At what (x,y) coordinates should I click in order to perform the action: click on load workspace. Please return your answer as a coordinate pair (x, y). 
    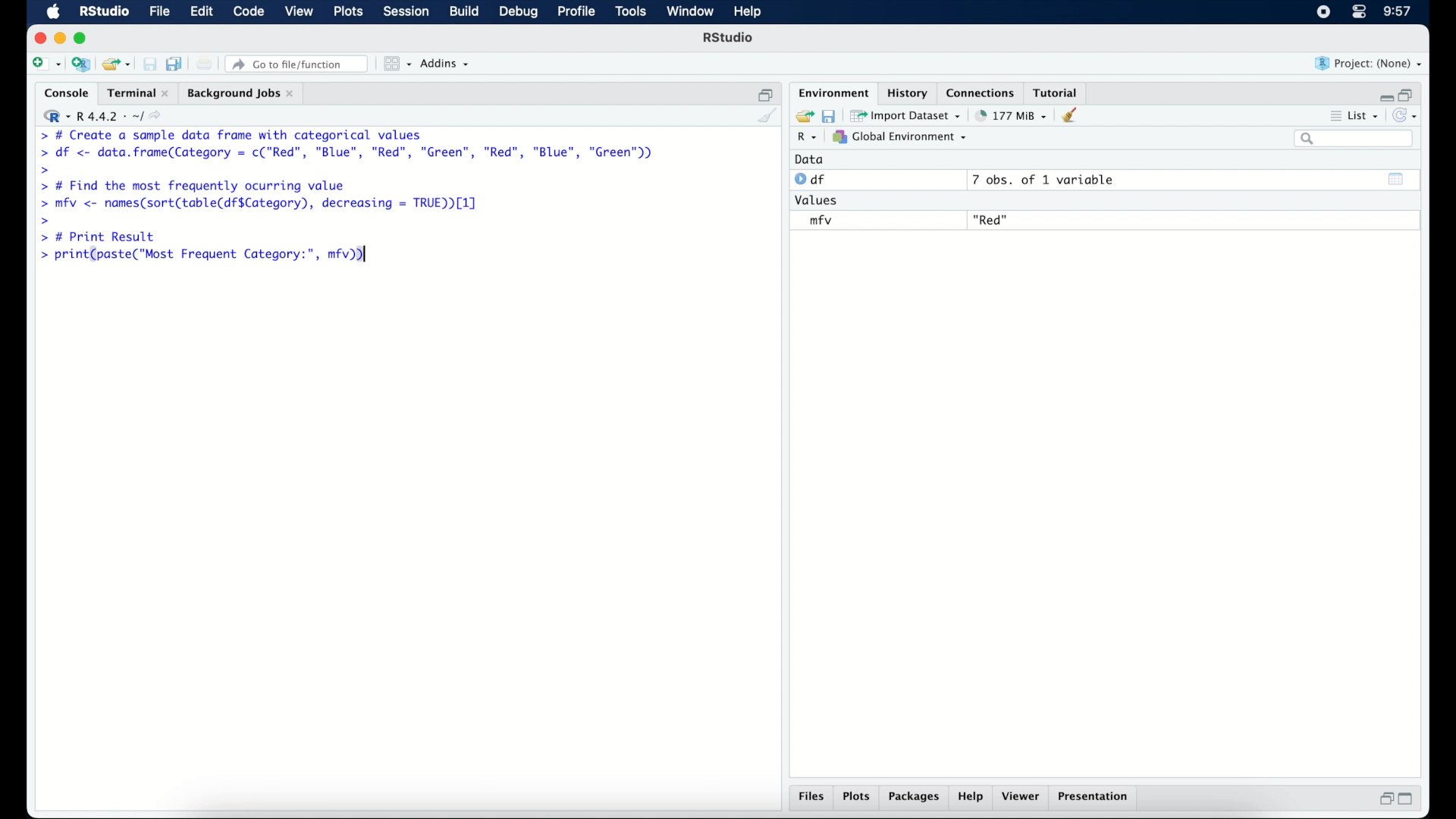
    Looking at the image, I should click on (802, 114).